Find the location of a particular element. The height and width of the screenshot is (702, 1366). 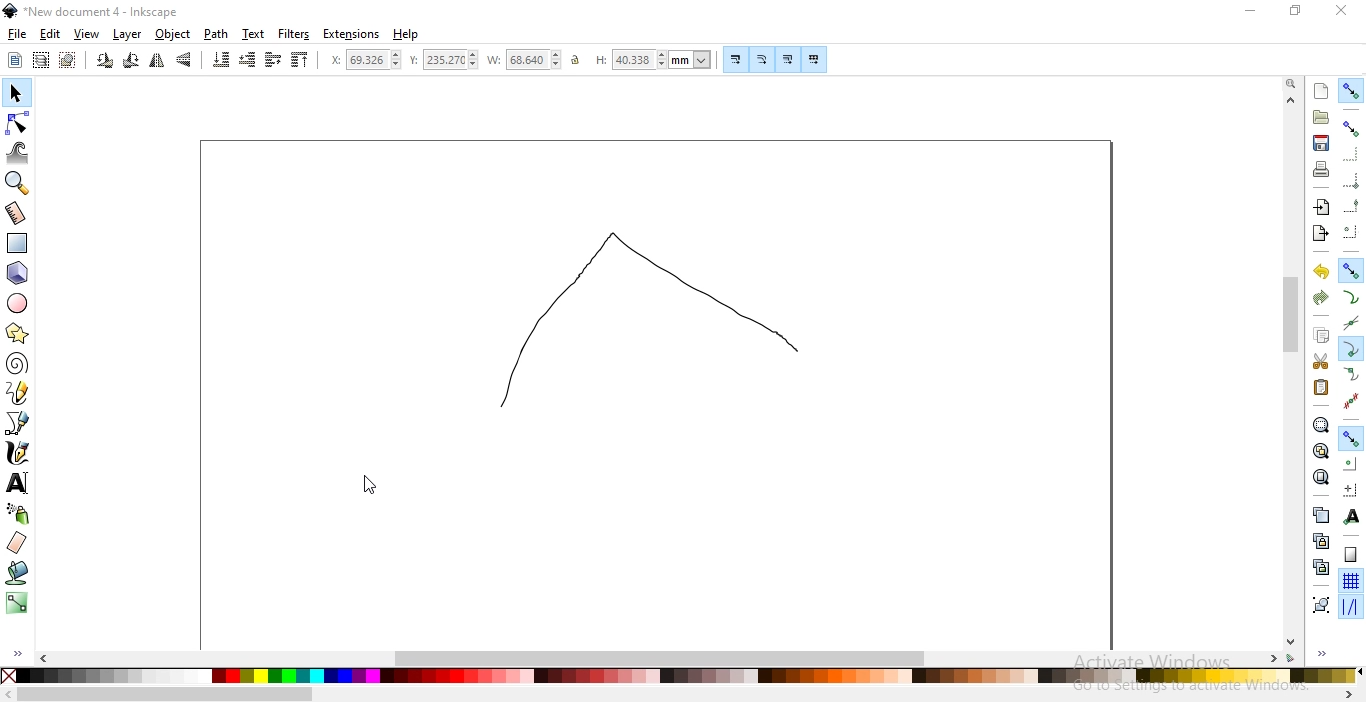

create stars and polygons is located at coordinates (17, 335).